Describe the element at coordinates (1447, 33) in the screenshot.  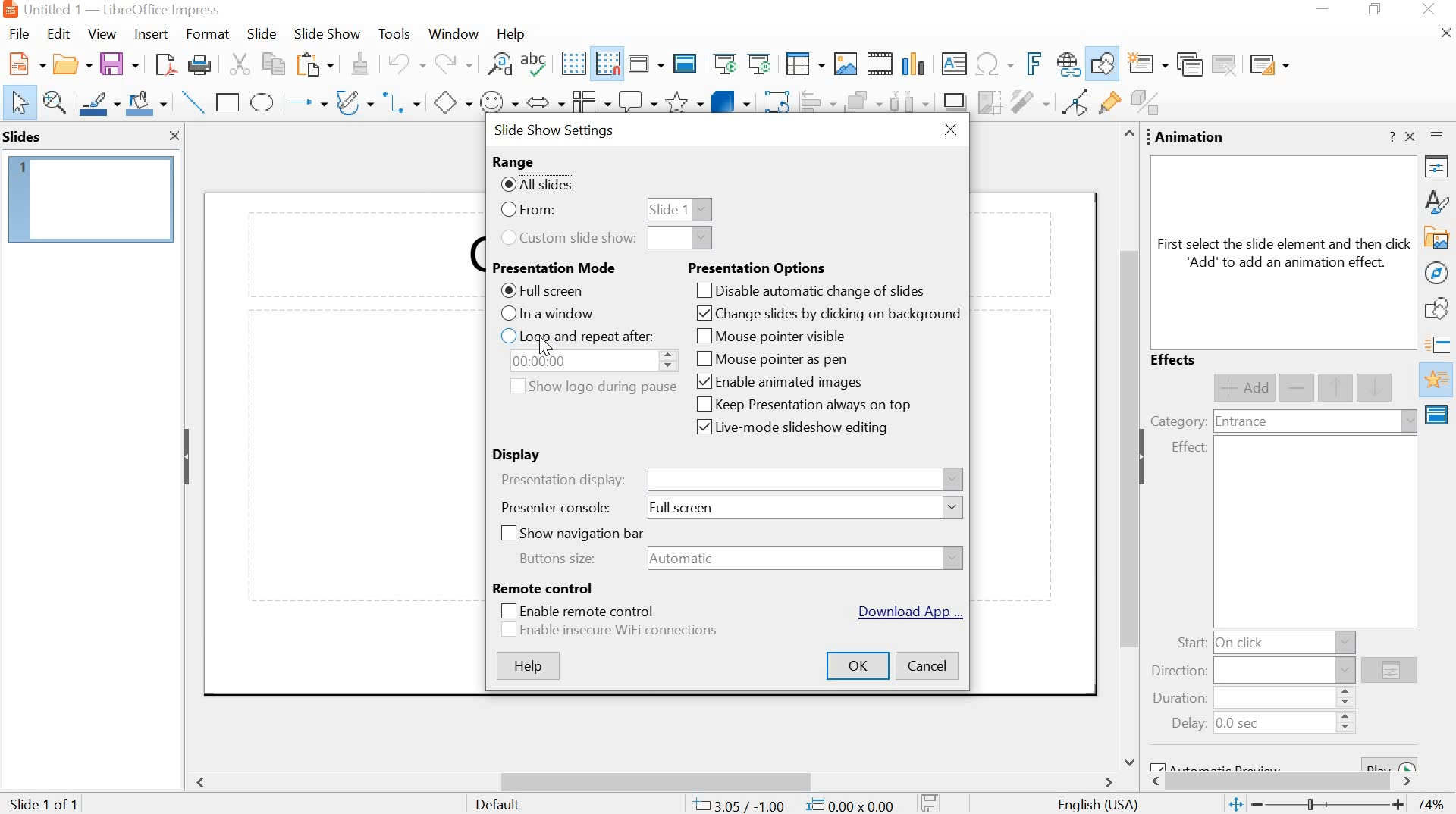
I see `close document` at that location.